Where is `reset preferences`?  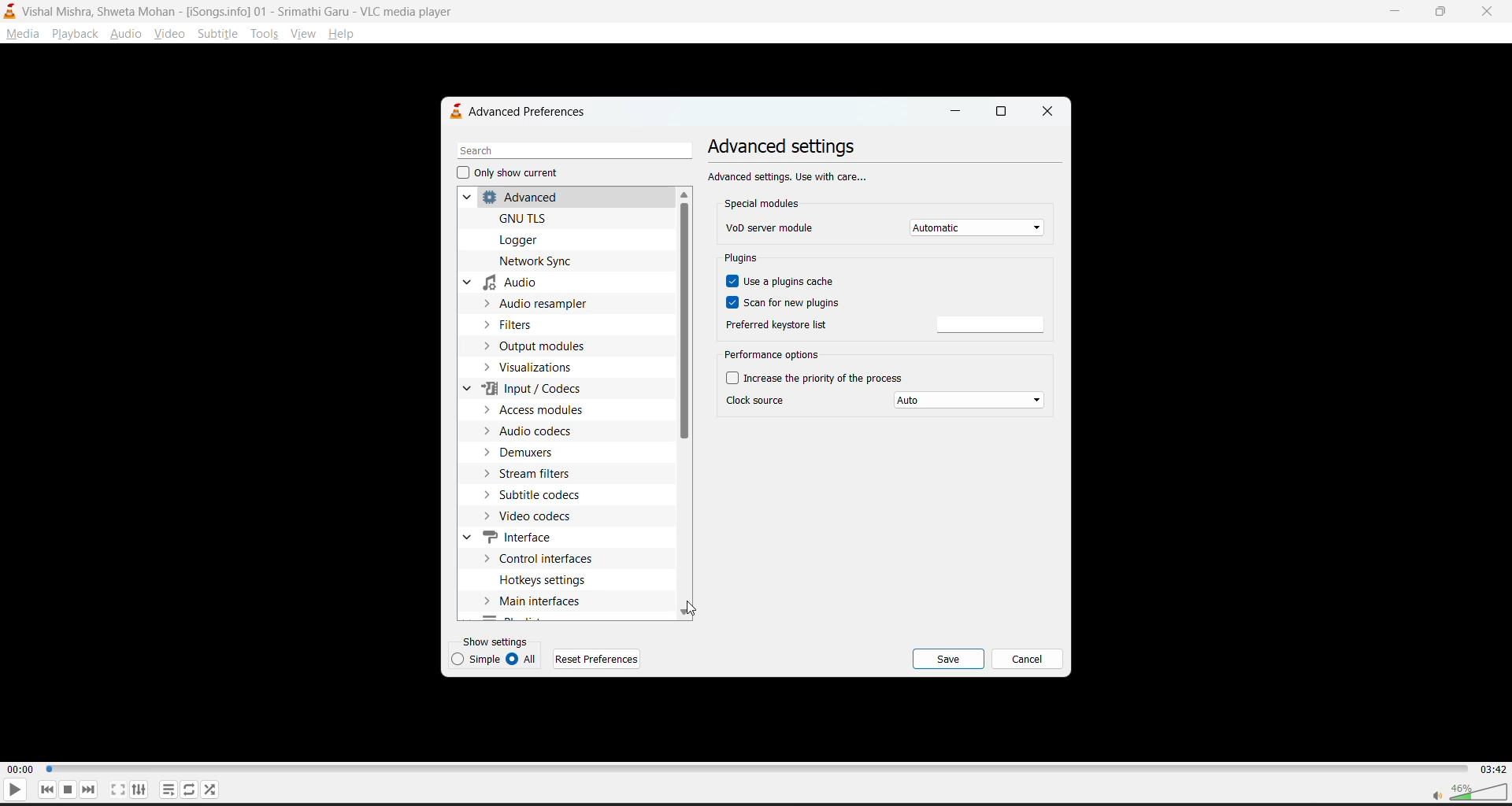 reset preferences is located at coordinates (595, 660).